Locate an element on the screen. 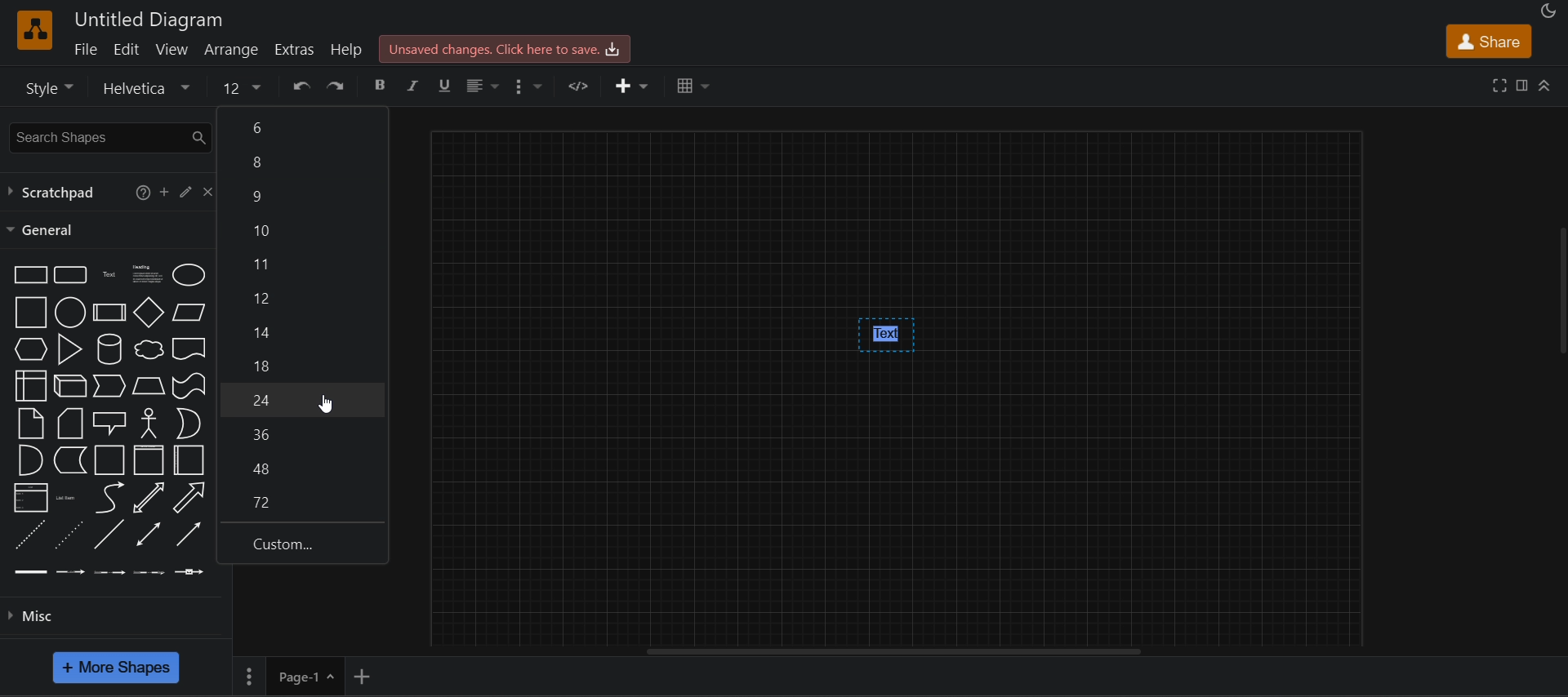  36 is located at coordinates (301, 433).